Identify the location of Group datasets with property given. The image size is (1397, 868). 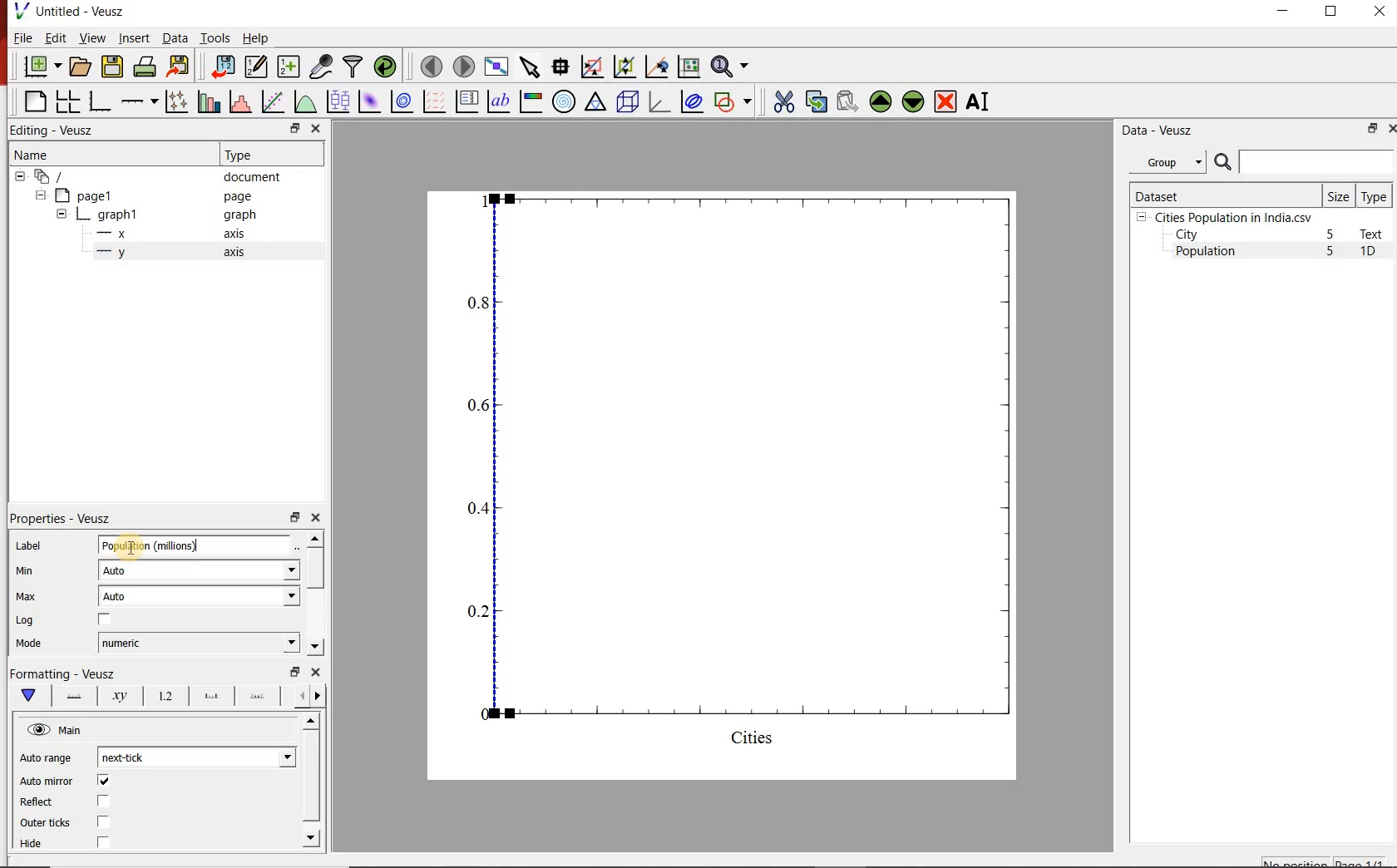
(1167, 161).